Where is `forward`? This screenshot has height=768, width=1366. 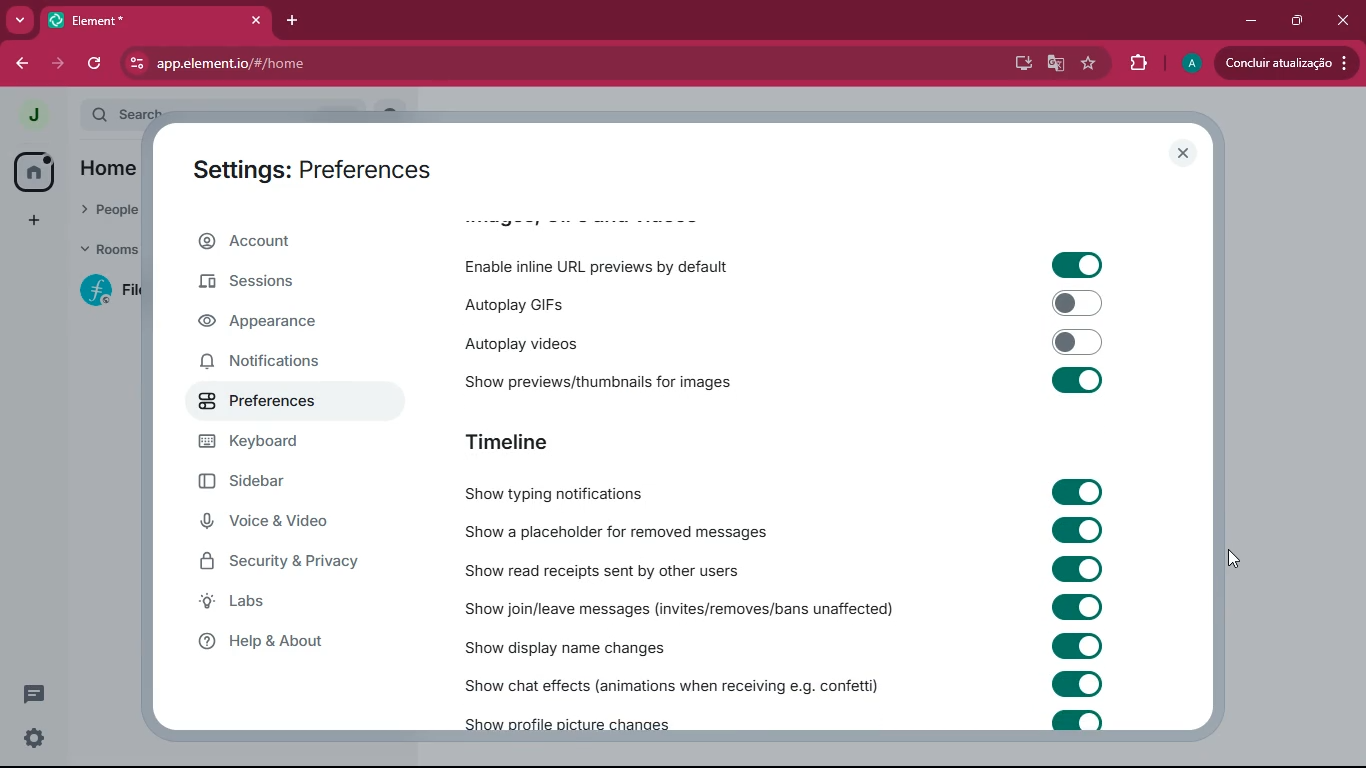 forward is located at coordinates (58, 67).